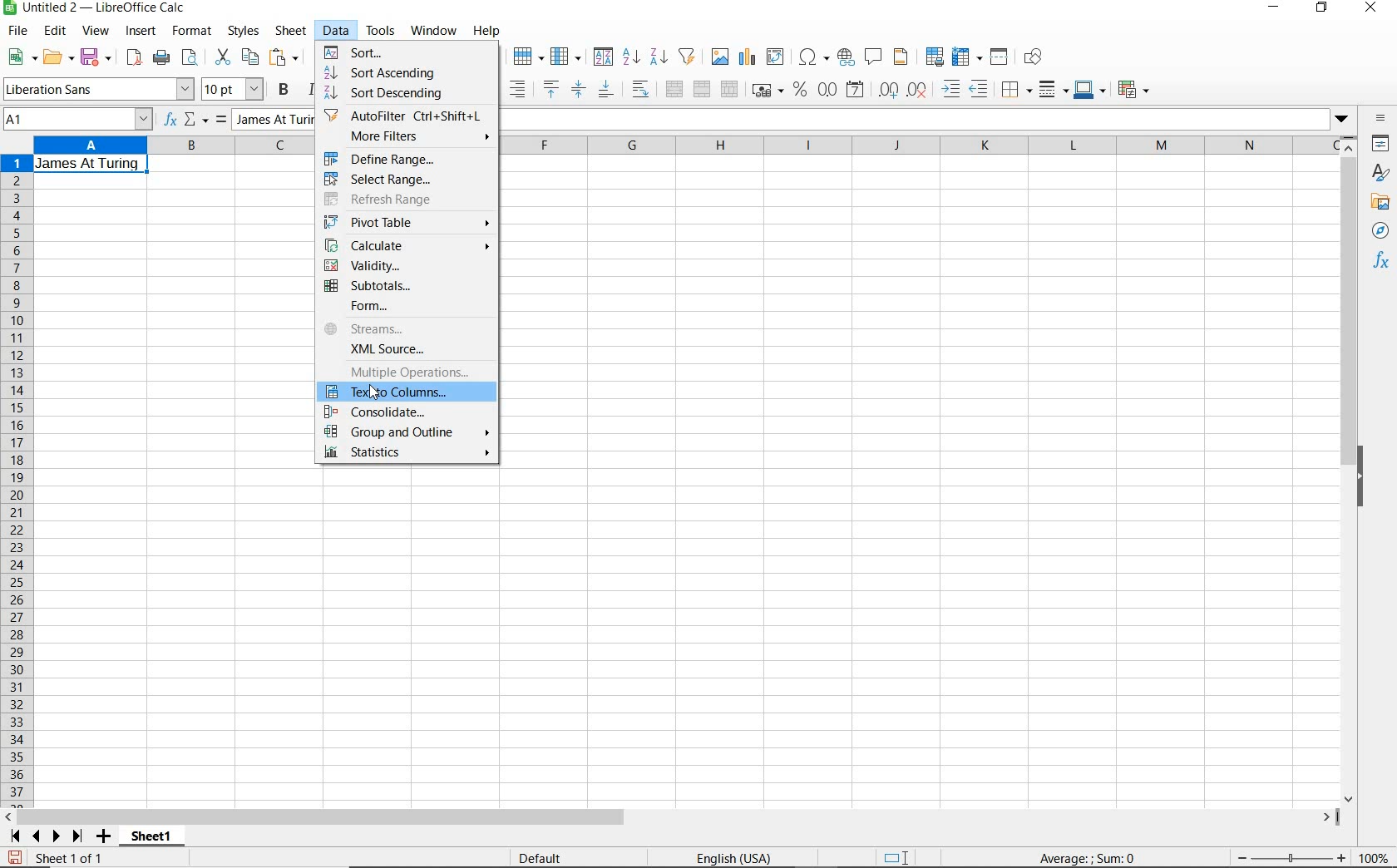 Image resolution: width=1397 pixels, height=868 pixels. Describe the element at coordinates (687, 57) in the screenshot. I see `autofilter` at that location.